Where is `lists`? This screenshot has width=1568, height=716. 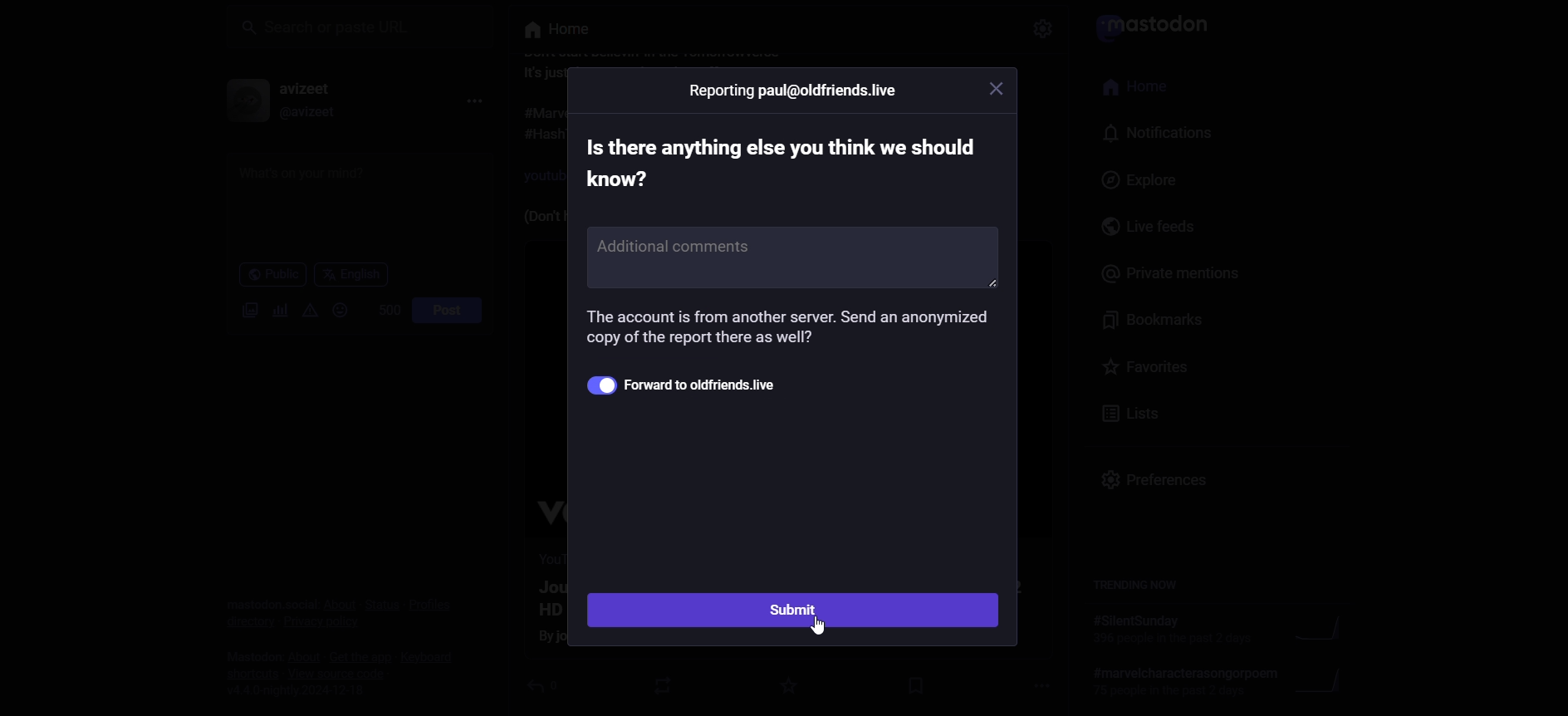
lists is located at coordinates (1126, 414).